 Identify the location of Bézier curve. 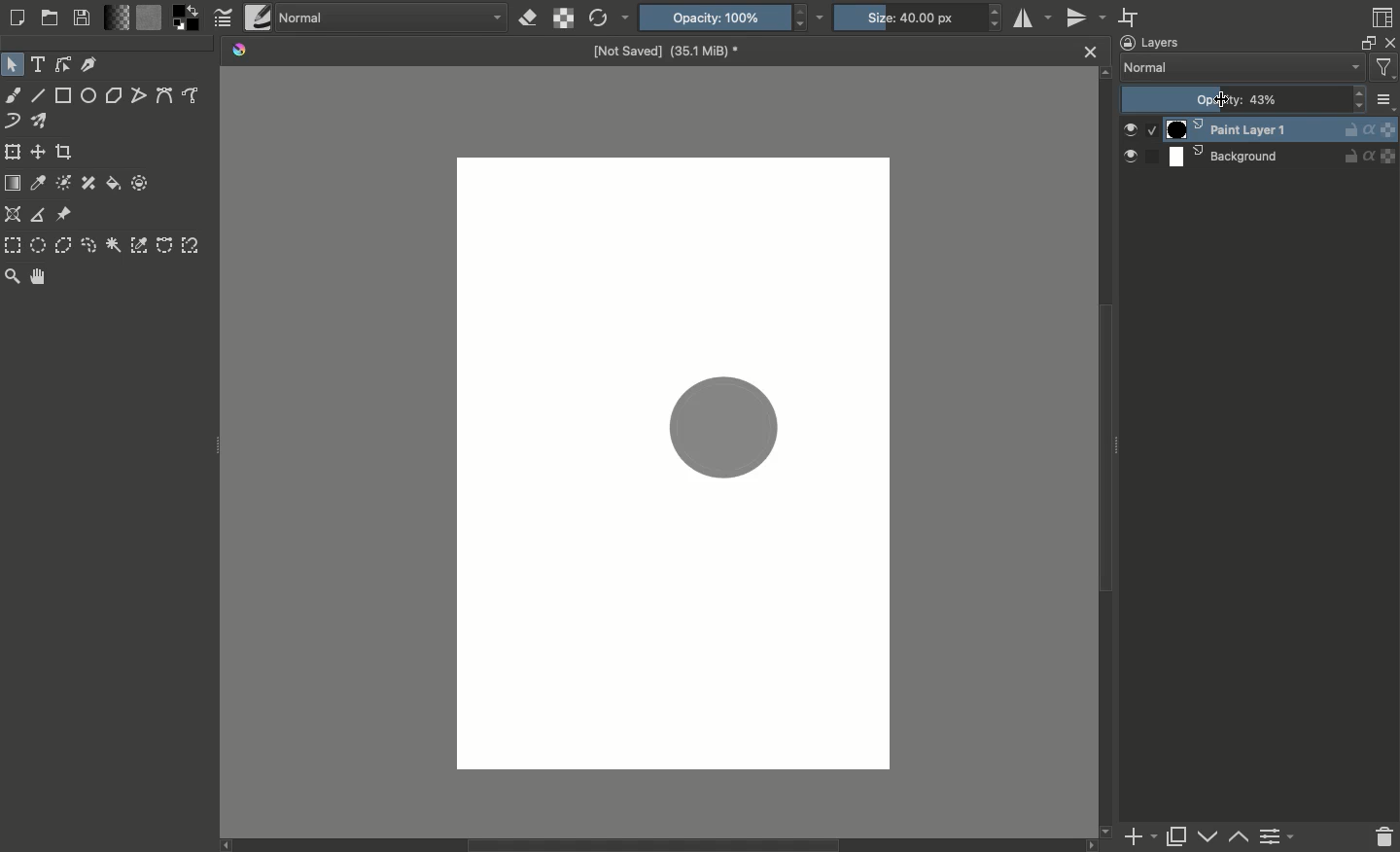
(164, 94).